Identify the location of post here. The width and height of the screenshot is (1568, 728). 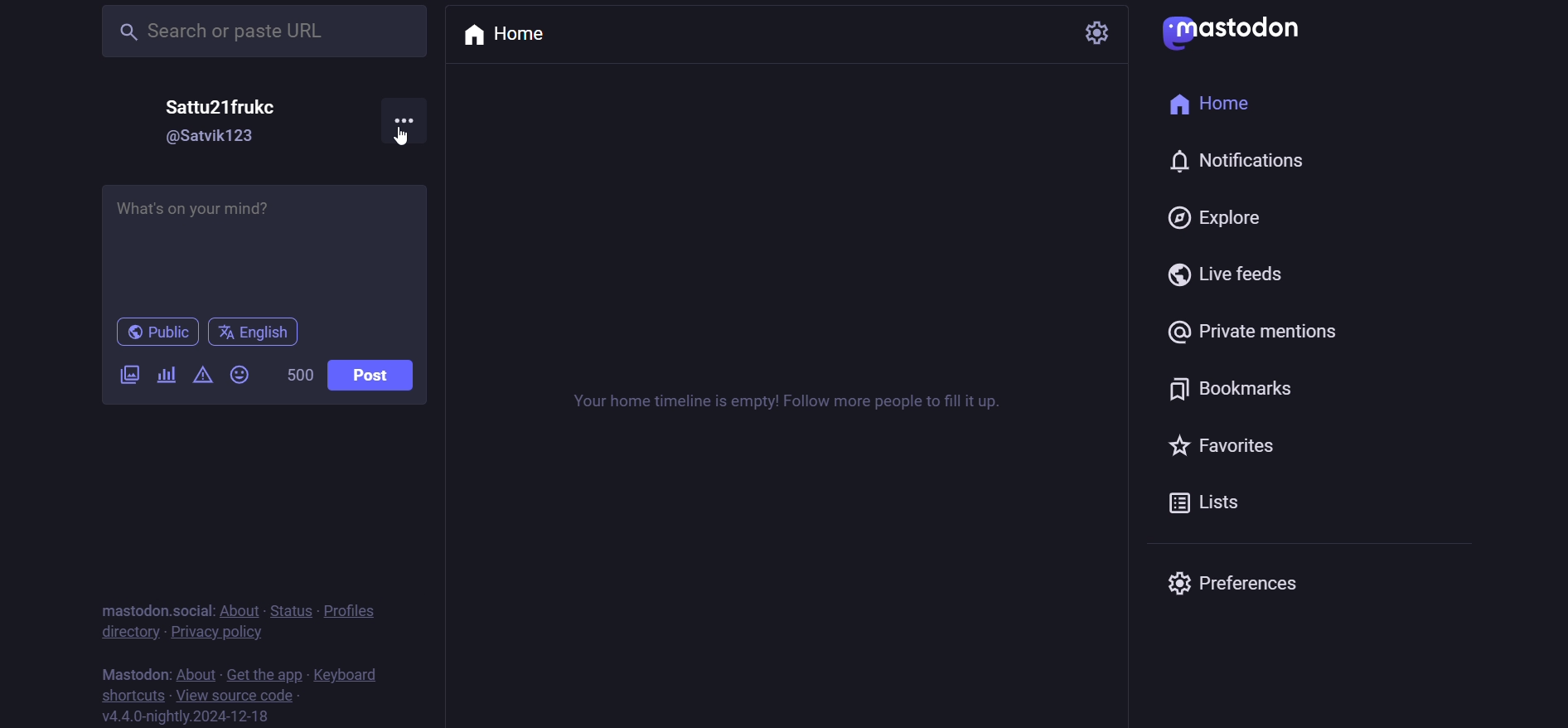
(260, 243).